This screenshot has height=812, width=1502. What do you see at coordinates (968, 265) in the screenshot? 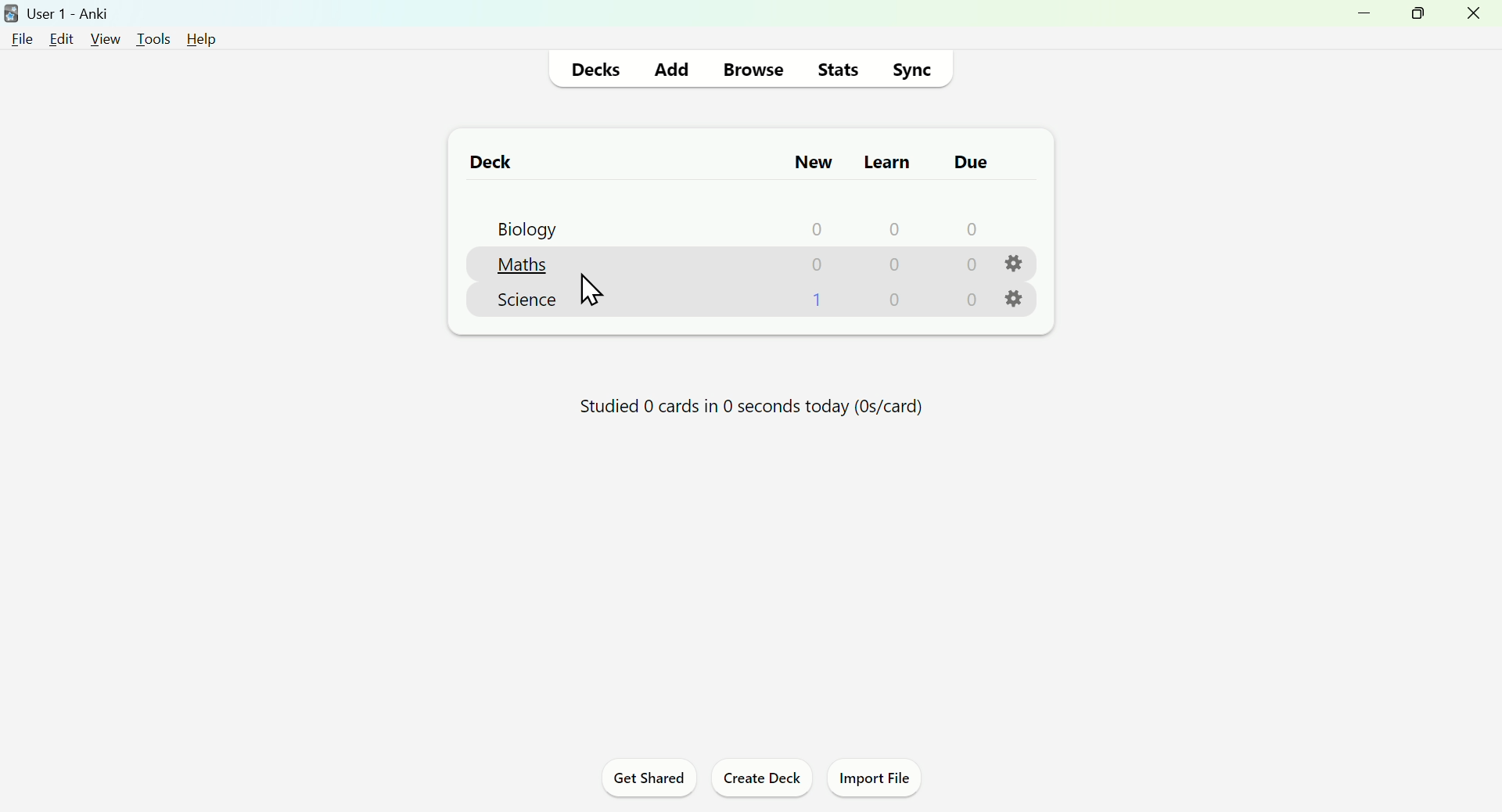
I see `0` at bounding box center [968, 265].